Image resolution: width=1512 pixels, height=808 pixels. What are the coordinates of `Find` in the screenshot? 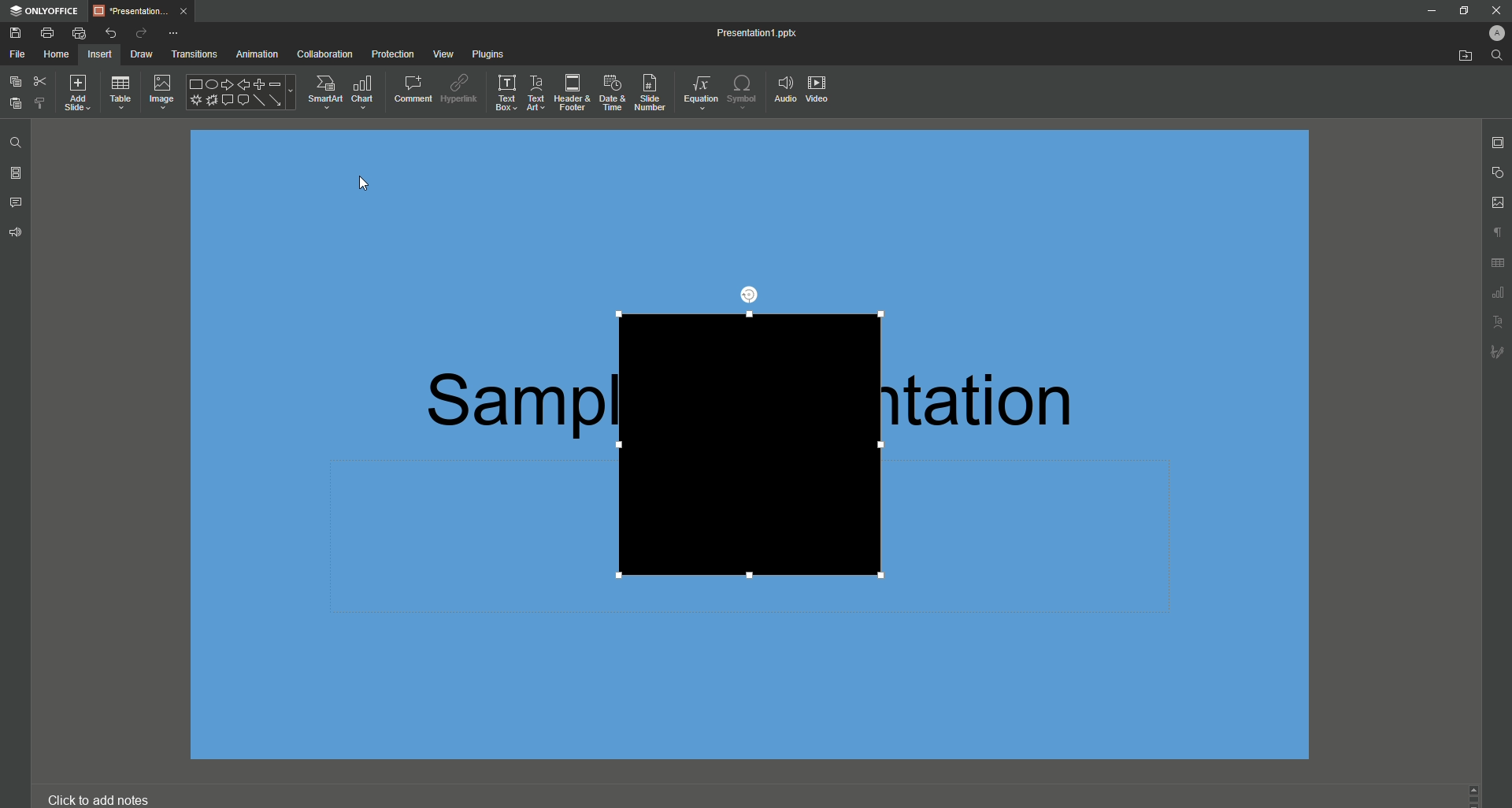 It's located at (17, 142).